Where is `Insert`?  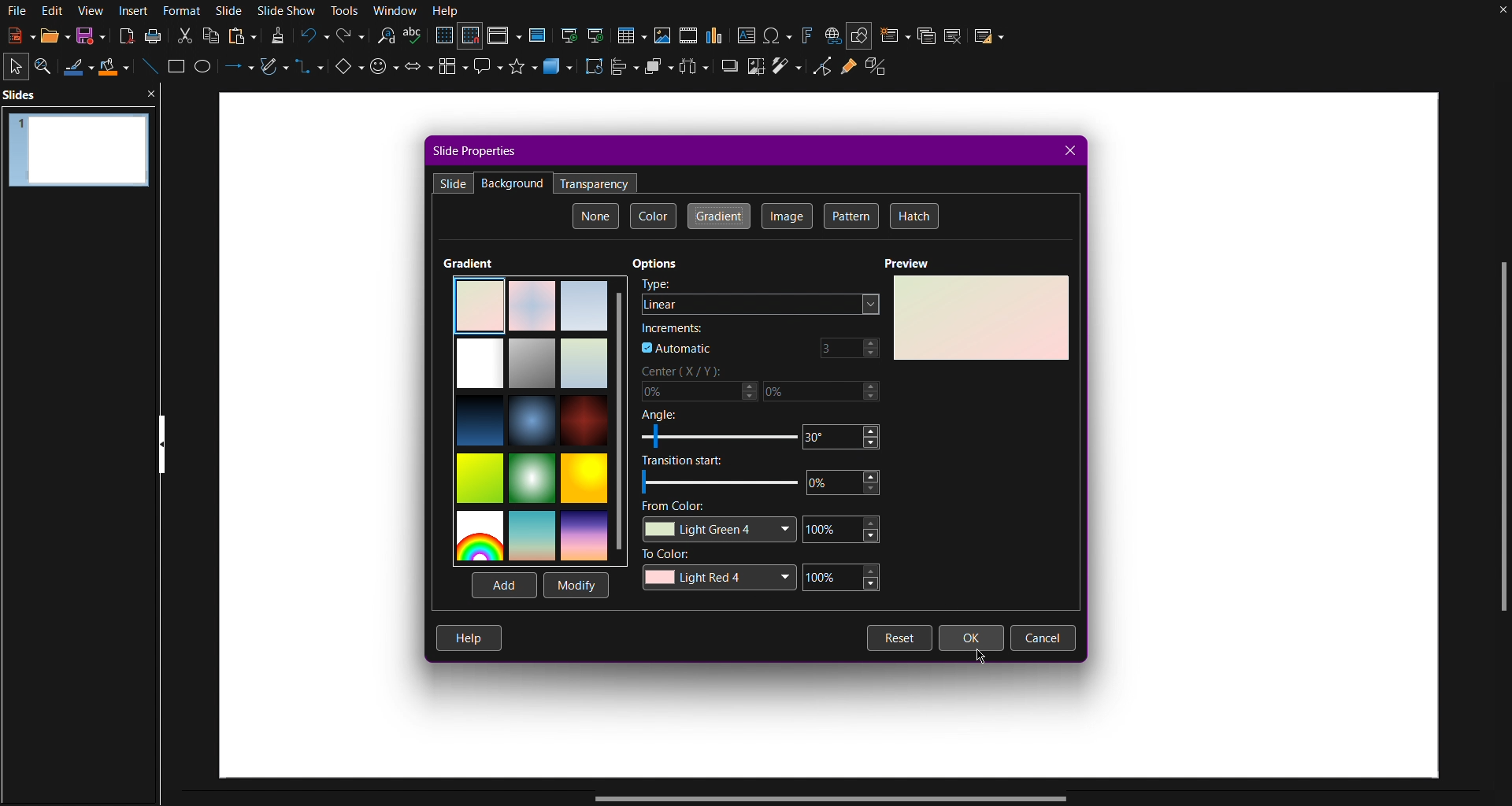
Insert is located at coordinates (135, 10).